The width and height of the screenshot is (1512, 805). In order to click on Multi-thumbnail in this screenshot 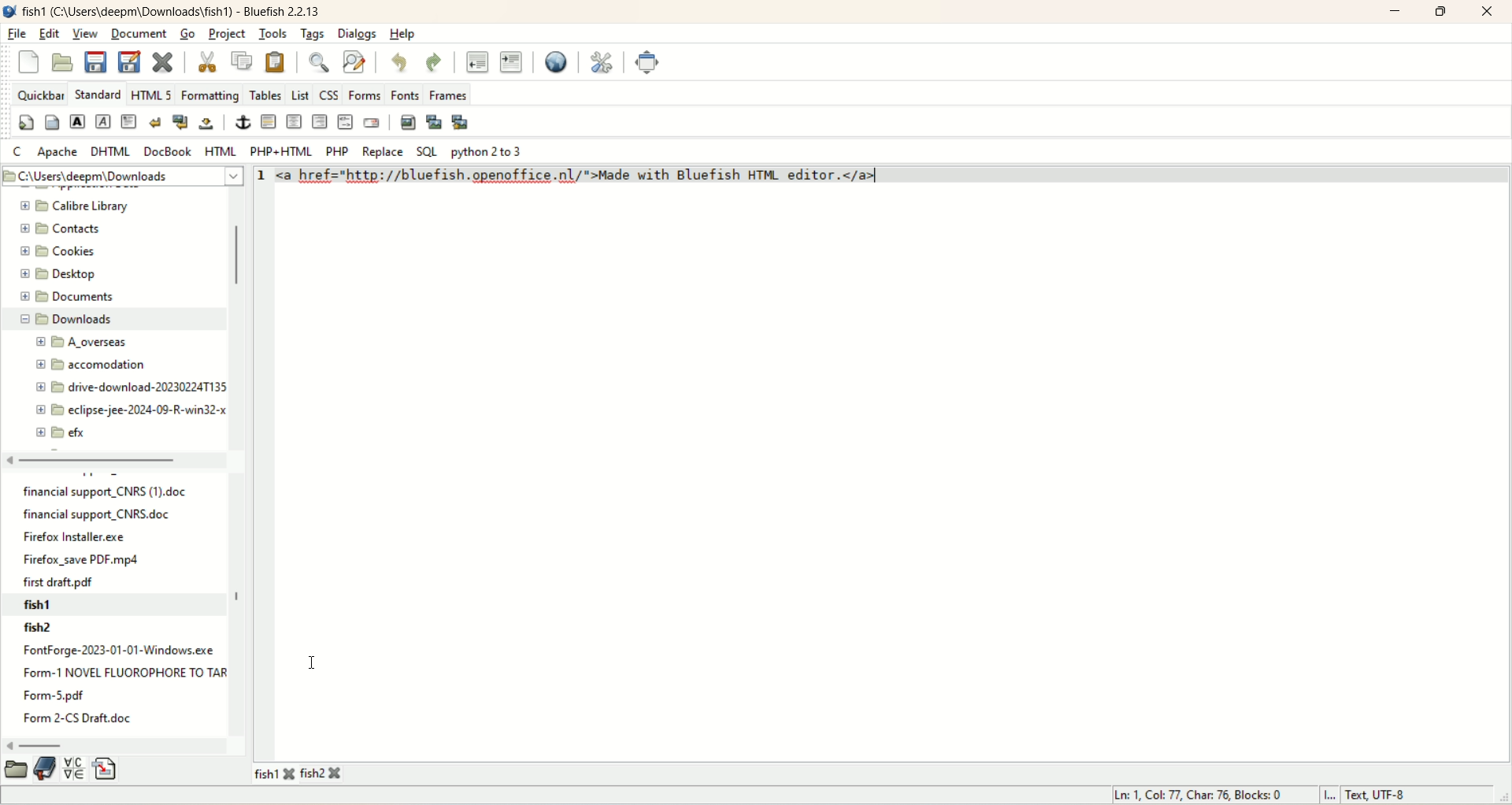, I will do `click(463, 124)`.